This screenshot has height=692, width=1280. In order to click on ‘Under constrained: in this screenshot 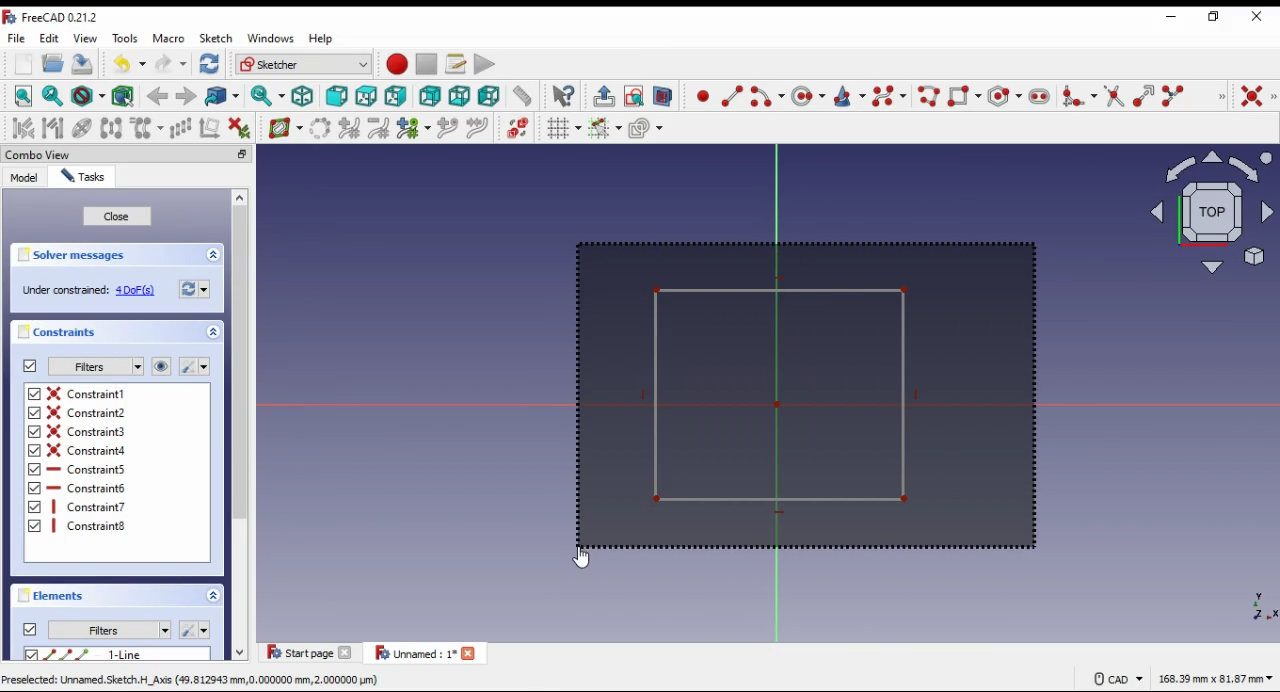, I will do `click(65, 291)`.